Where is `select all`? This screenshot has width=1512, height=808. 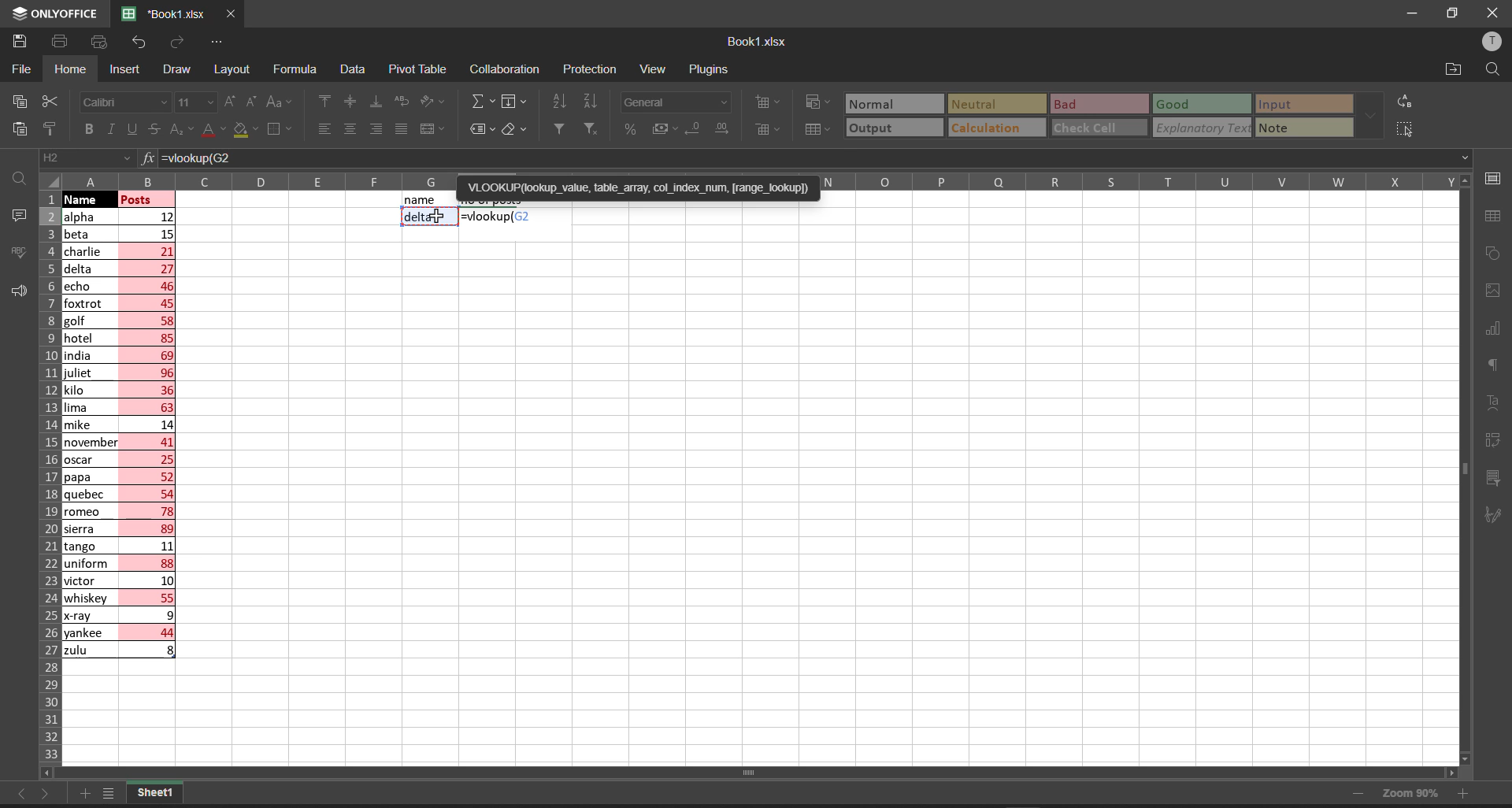 select all is located at coordinates (50, 180).